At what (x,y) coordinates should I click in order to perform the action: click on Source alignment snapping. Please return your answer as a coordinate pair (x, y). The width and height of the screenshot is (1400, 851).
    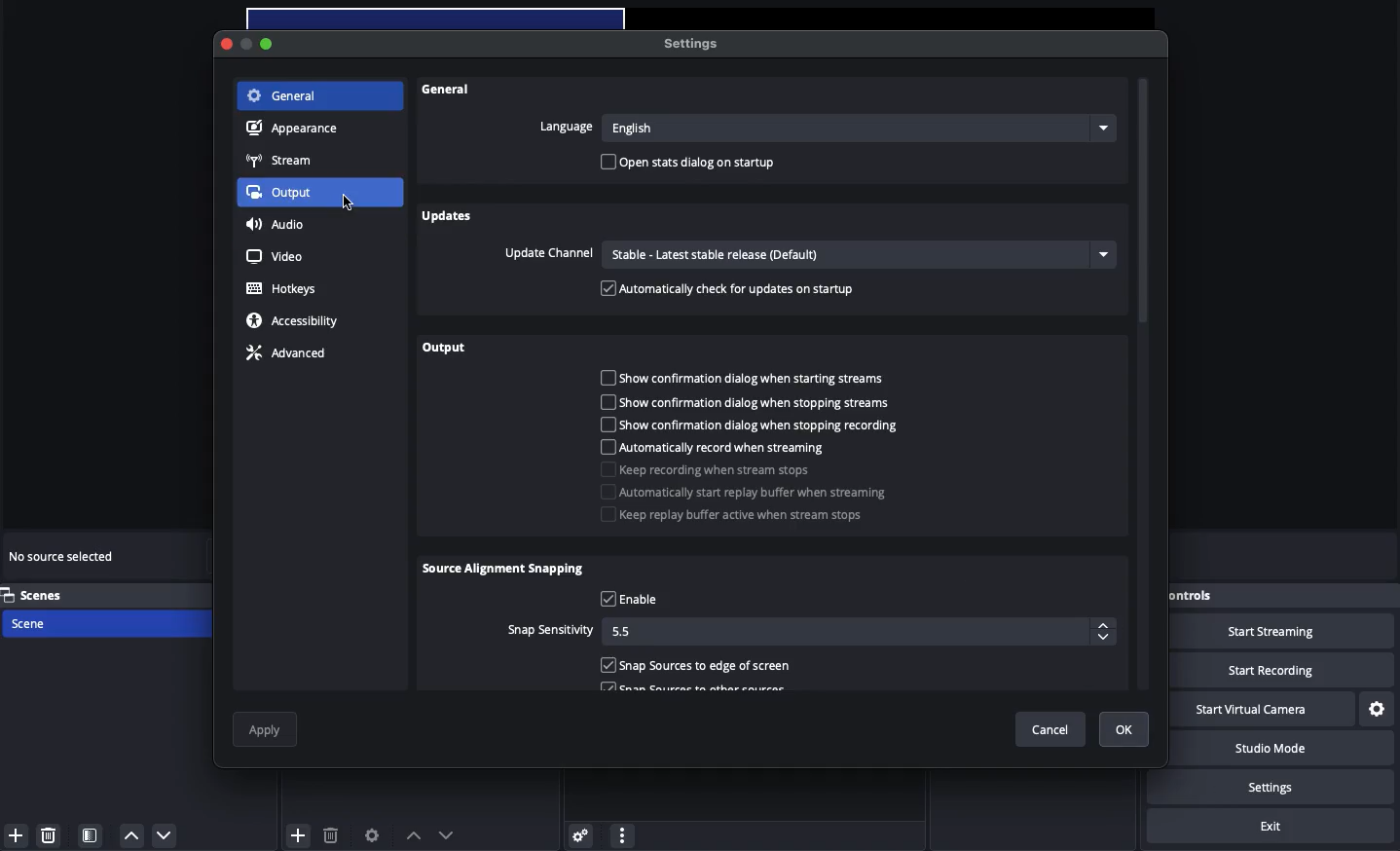
    Looking at the image, I should click on (503, 570).